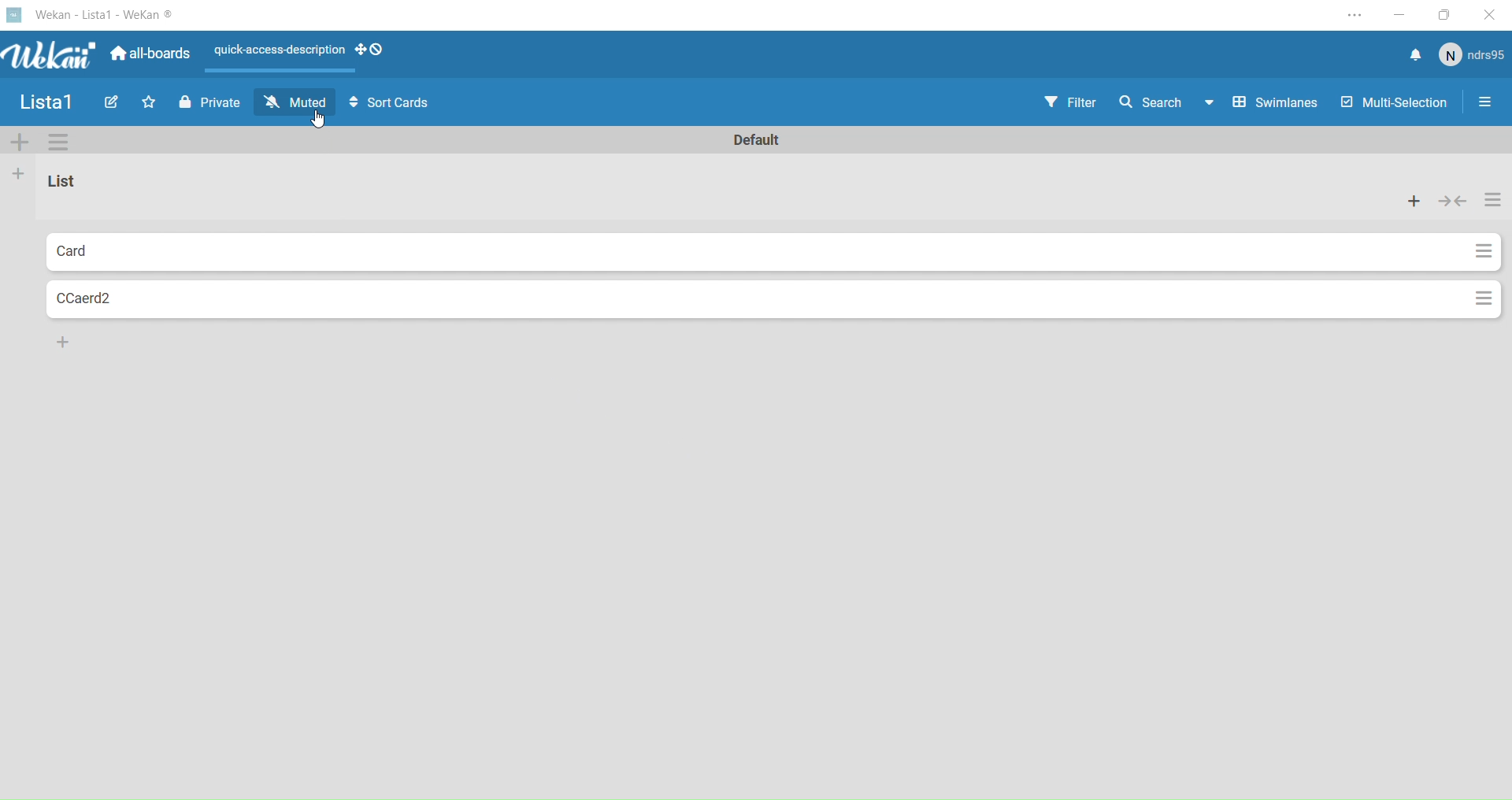 Image resolution: width=1512 pixels, height=800 pixels. I want to click on Options, so click(1483, 298).